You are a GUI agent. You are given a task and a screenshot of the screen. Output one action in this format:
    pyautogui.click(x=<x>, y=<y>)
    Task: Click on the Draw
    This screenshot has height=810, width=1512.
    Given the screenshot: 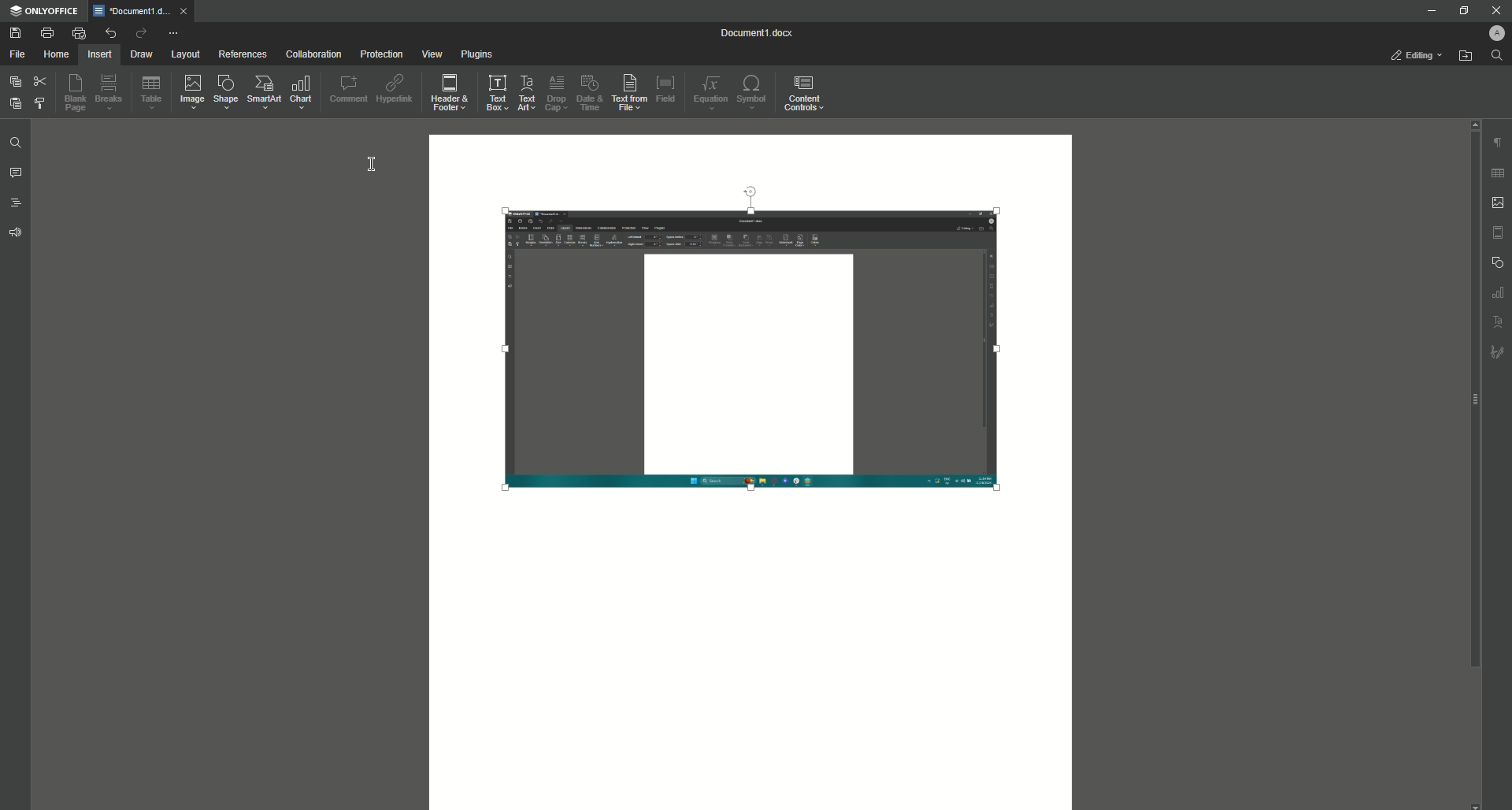 What is the action you would take?
    pyautogui.click(x=142, y=55)
    